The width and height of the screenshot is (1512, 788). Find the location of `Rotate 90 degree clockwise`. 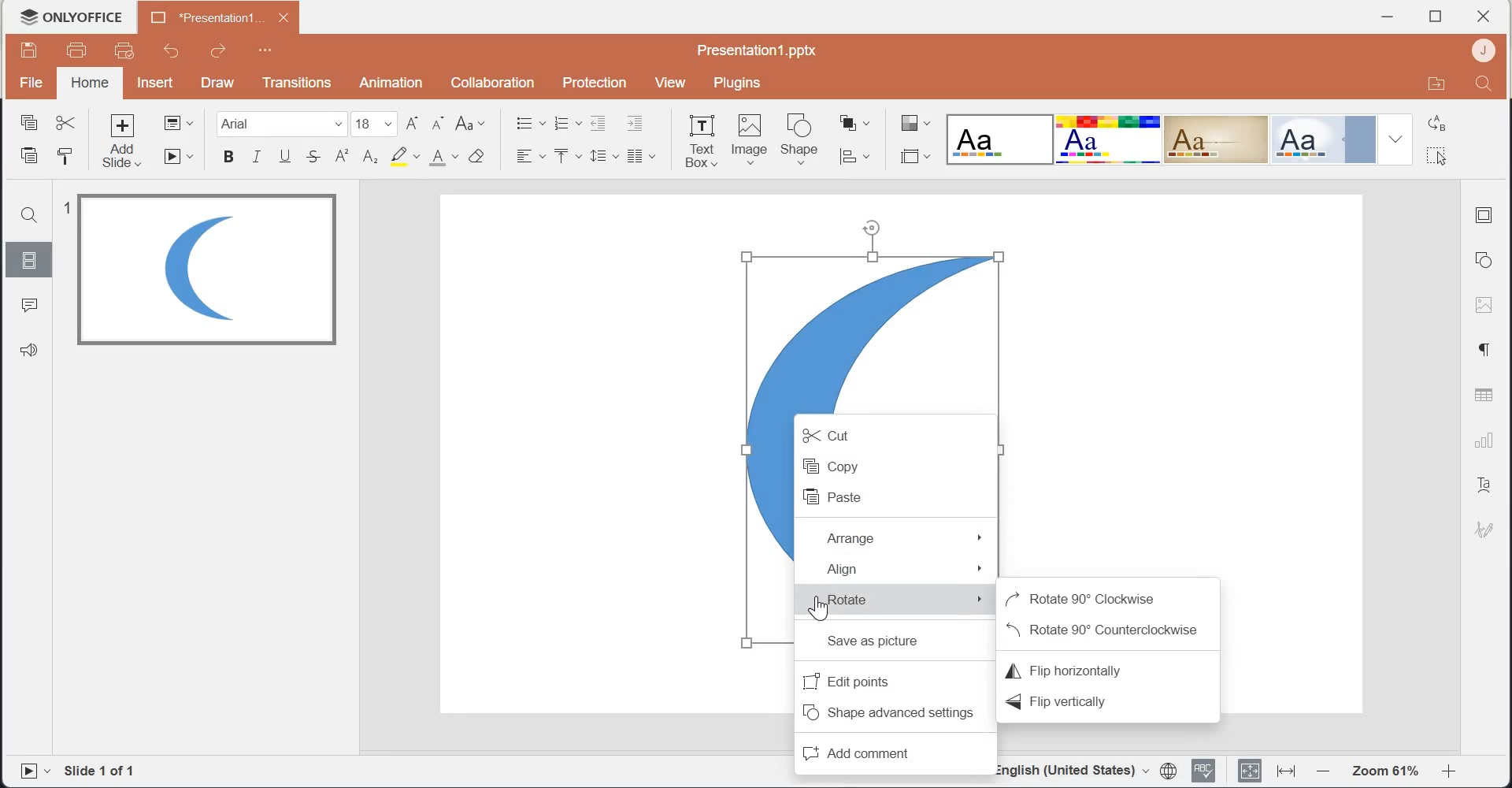

Rotate 90 degree clockwise is located at coordinates (1103, 597).